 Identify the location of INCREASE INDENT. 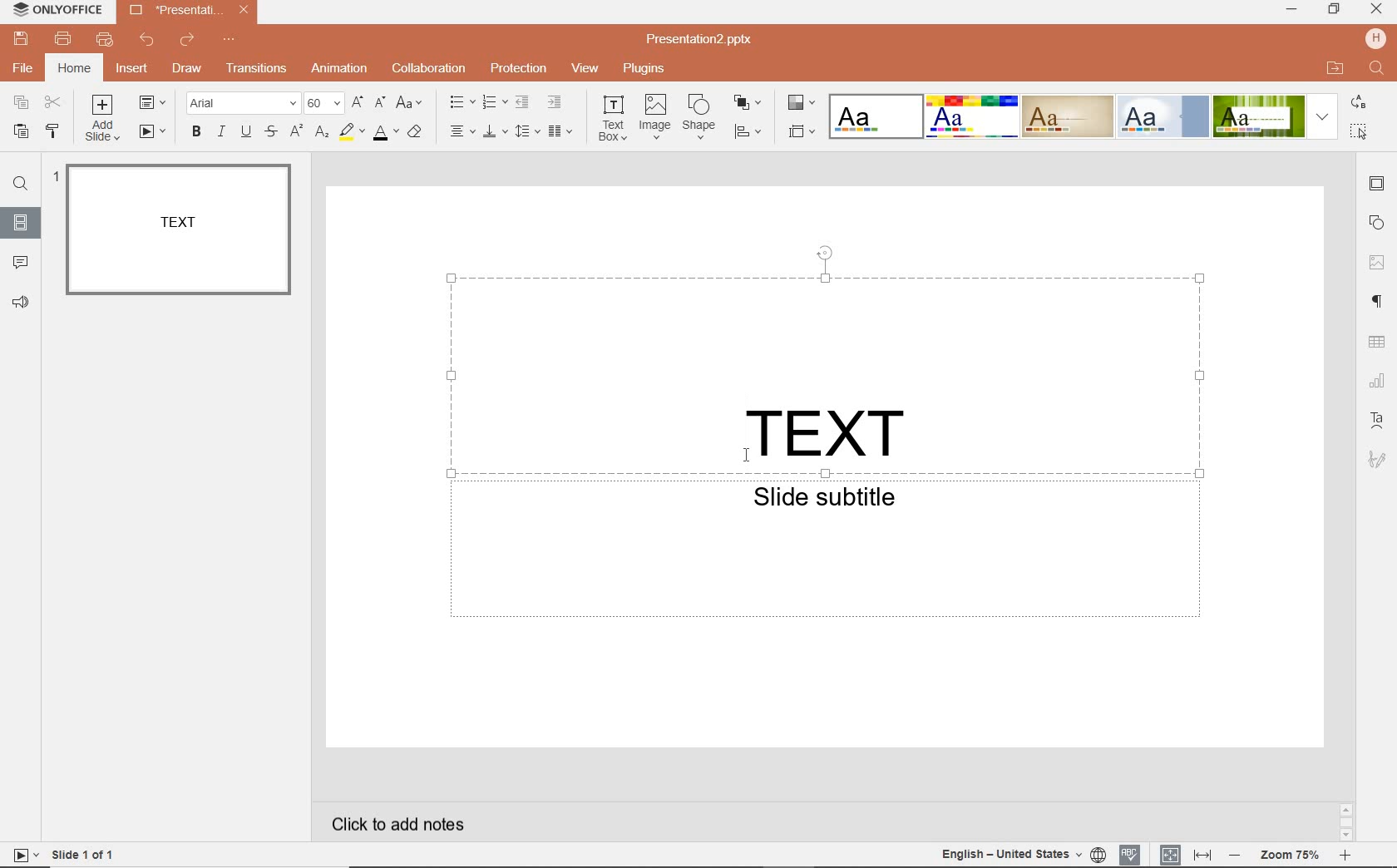
(555, 101).